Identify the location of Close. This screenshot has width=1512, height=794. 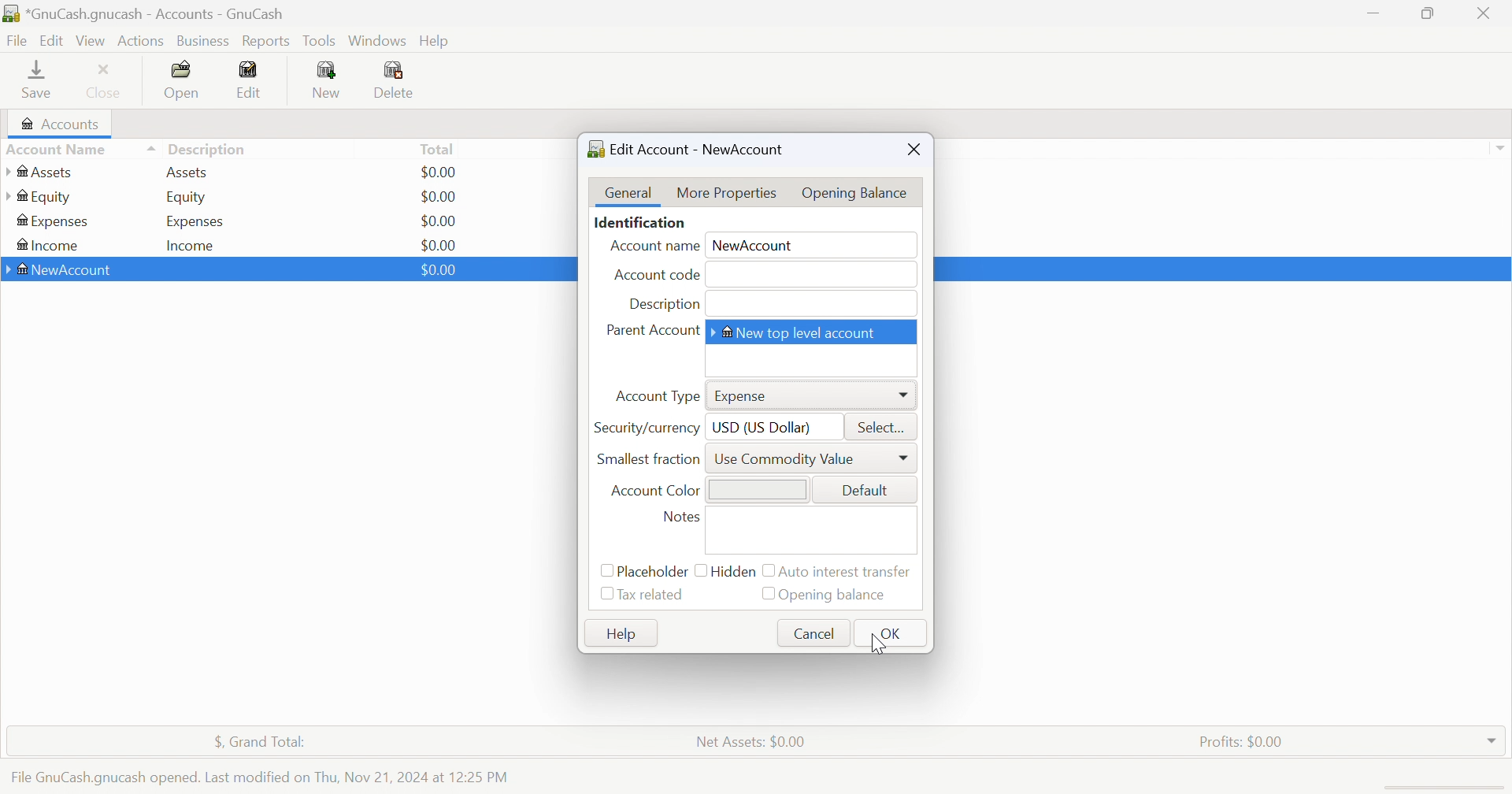
(105, 80).